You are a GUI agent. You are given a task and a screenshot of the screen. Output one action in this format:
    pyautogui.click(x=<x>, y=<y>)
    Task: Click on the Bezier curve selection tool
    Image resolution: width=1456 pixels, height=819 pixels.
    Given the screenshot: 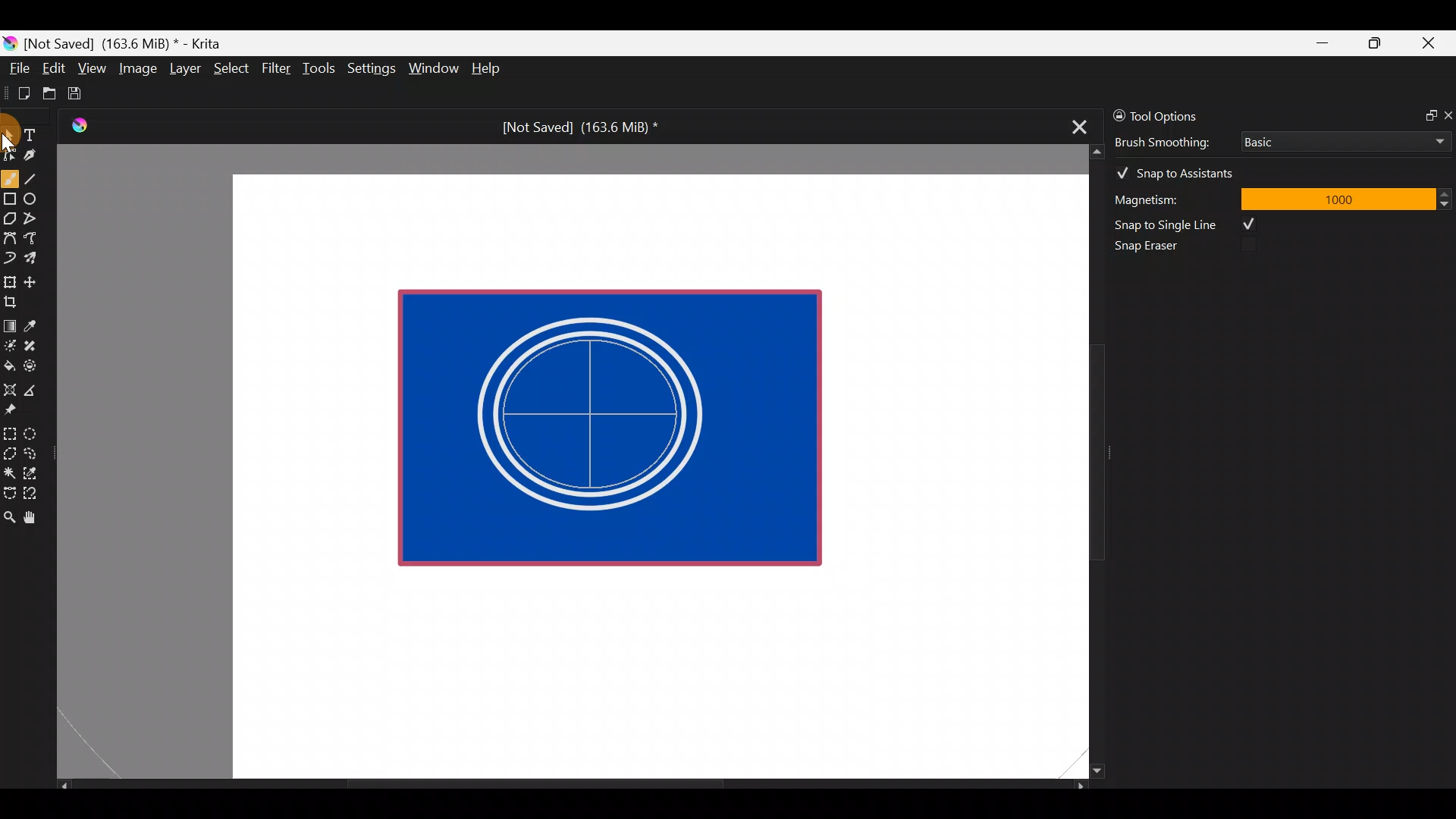 What is the action you would take?
    pyautogui.click(x=9, y=491)
    